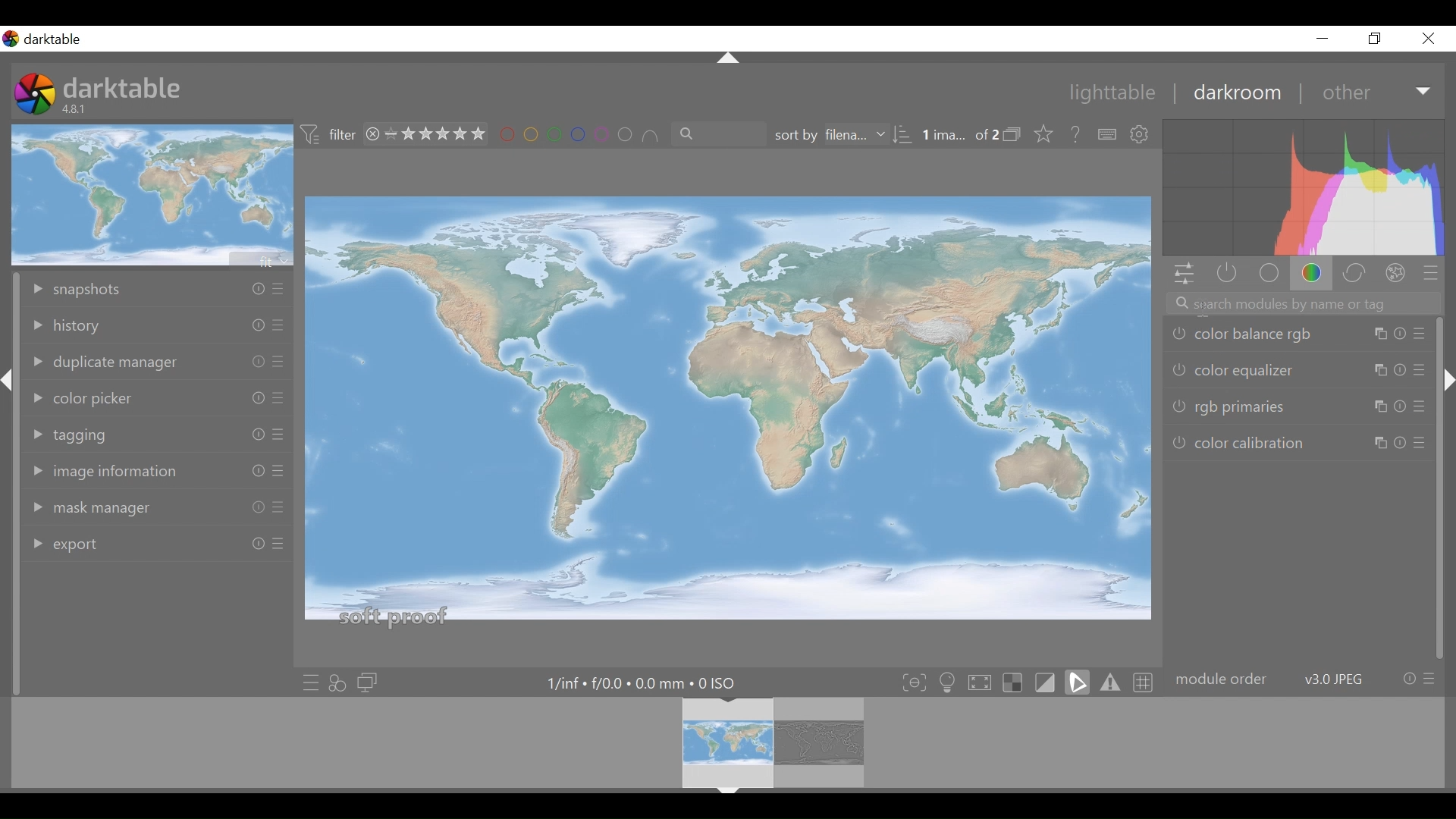 This screenshot has width=1456, height=819. Describe the element at coordinates (311, 134) in the screenshot. I see `icon` at that location.